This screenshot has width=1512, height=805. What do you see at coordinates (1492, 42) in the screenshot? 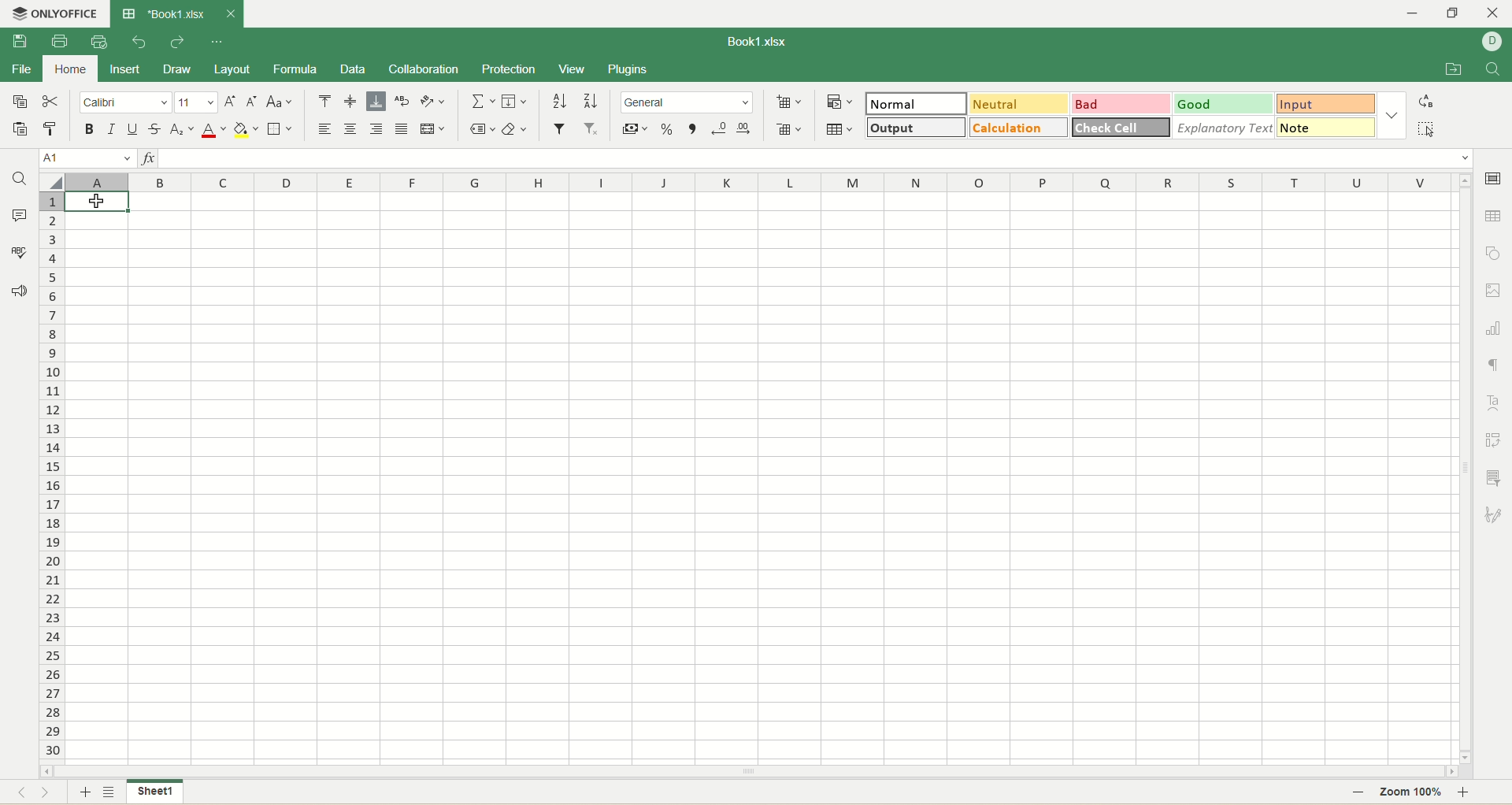
I see `username` at bounding box center [1492, 42].